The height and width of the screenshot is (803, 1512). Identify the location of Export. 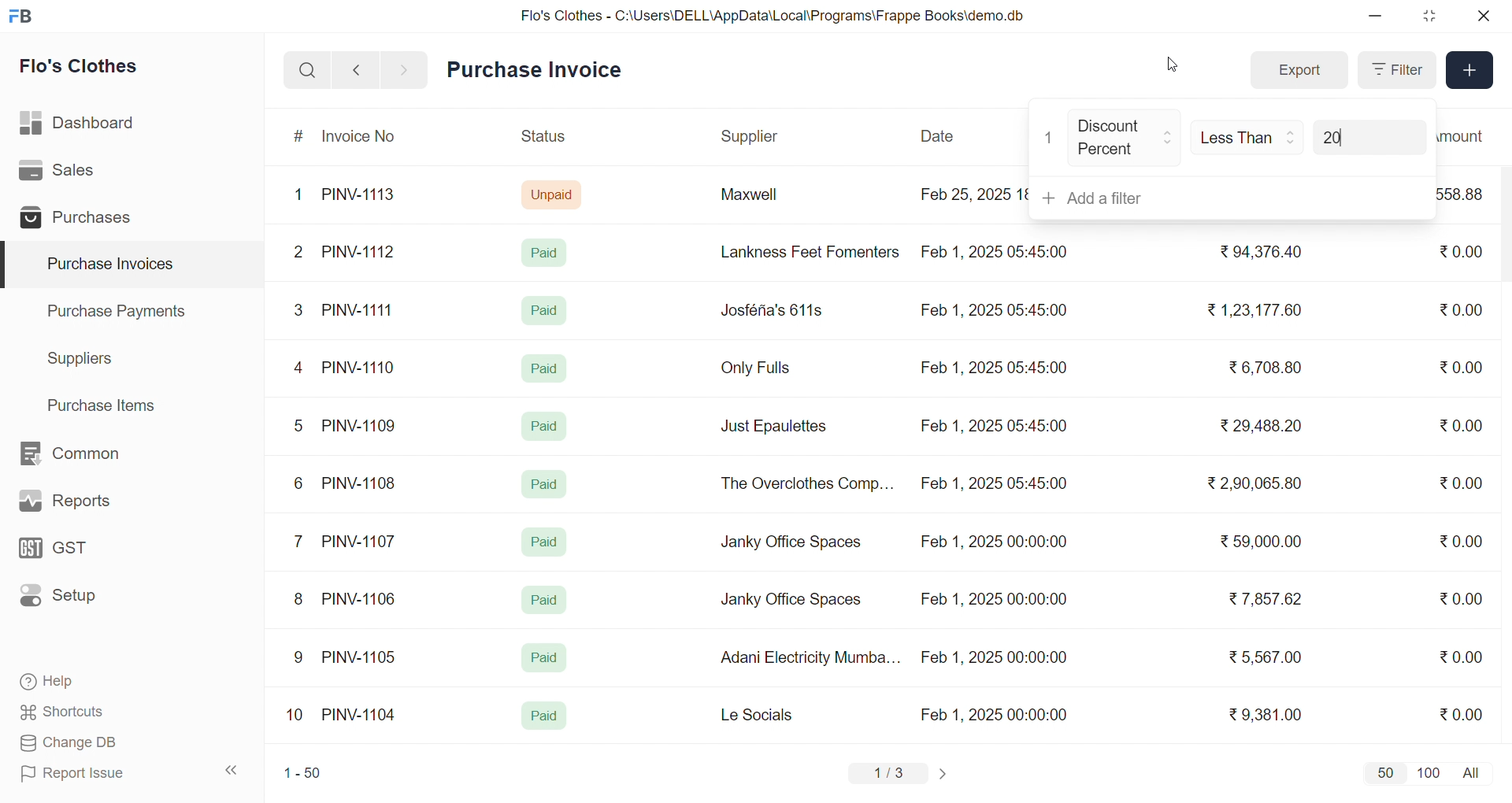
(1299, 71).